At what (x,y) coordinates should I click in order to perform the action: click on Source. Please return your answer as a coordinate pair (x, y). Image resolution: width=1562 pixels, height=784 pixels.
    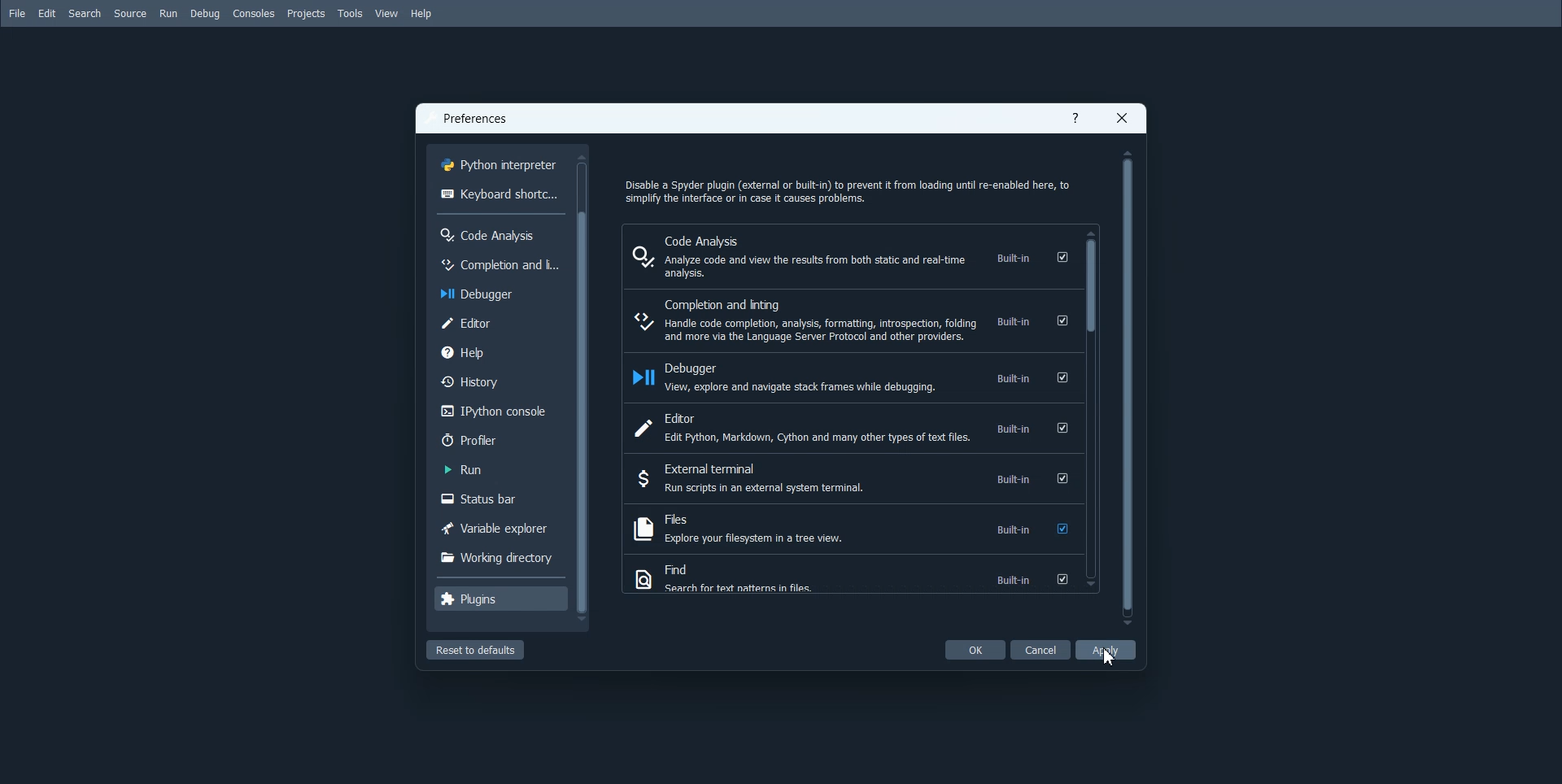
    Looking at the image, I should click on (129, 14).